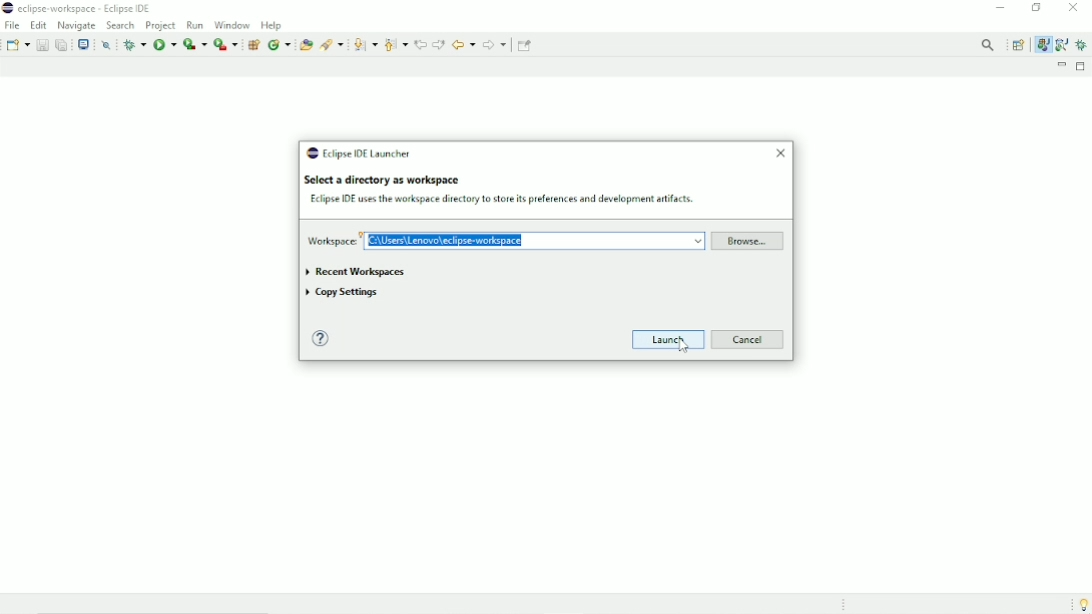 This screenshot has height=614, width=1092. What do you see at coordinates (365, 45) in the screenshot?
I see `Next annotation` at bounding box center [365, 45].